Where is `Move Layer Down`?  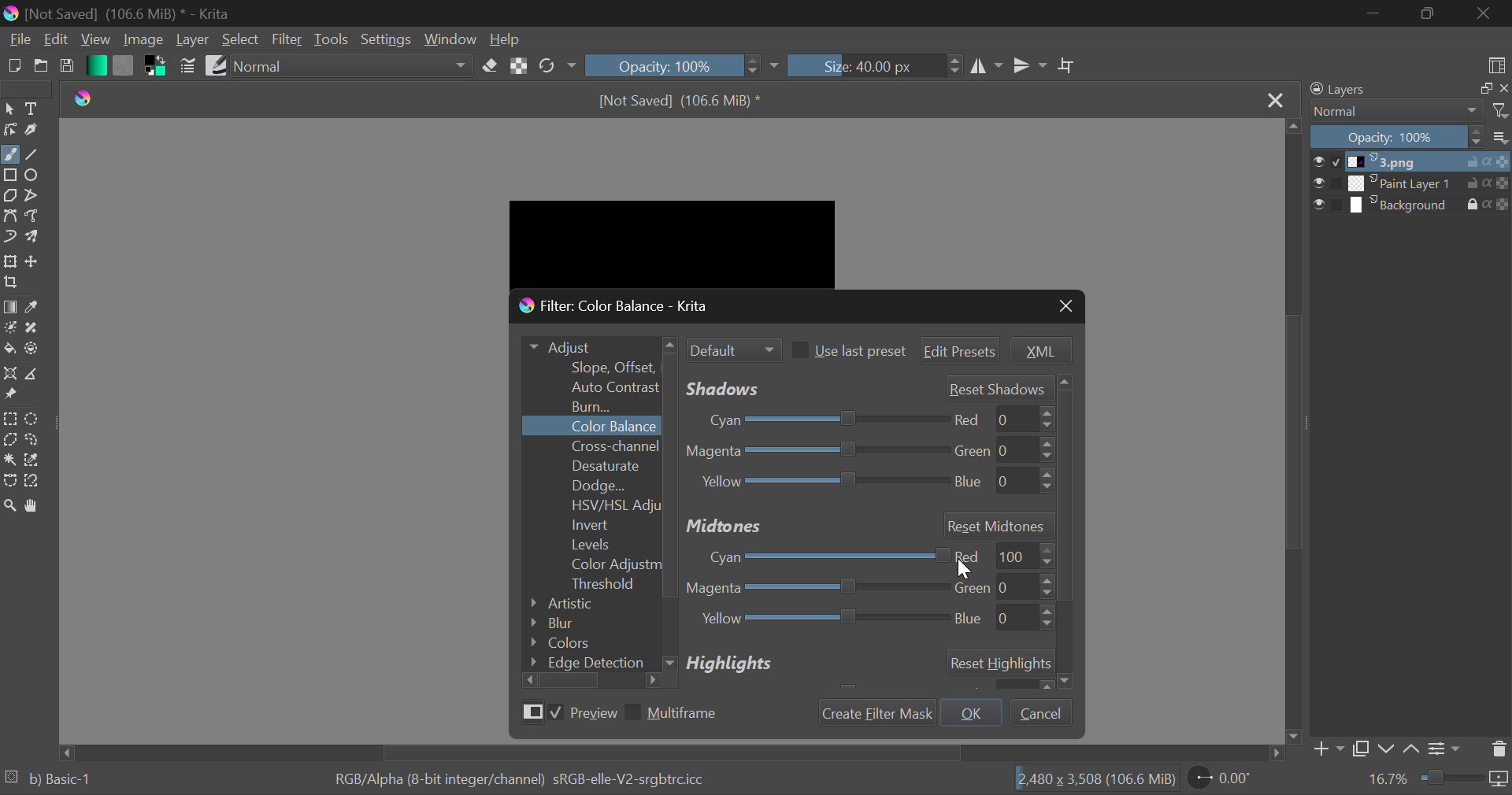 Move Layer Down is located at coordinates (1389, 748).